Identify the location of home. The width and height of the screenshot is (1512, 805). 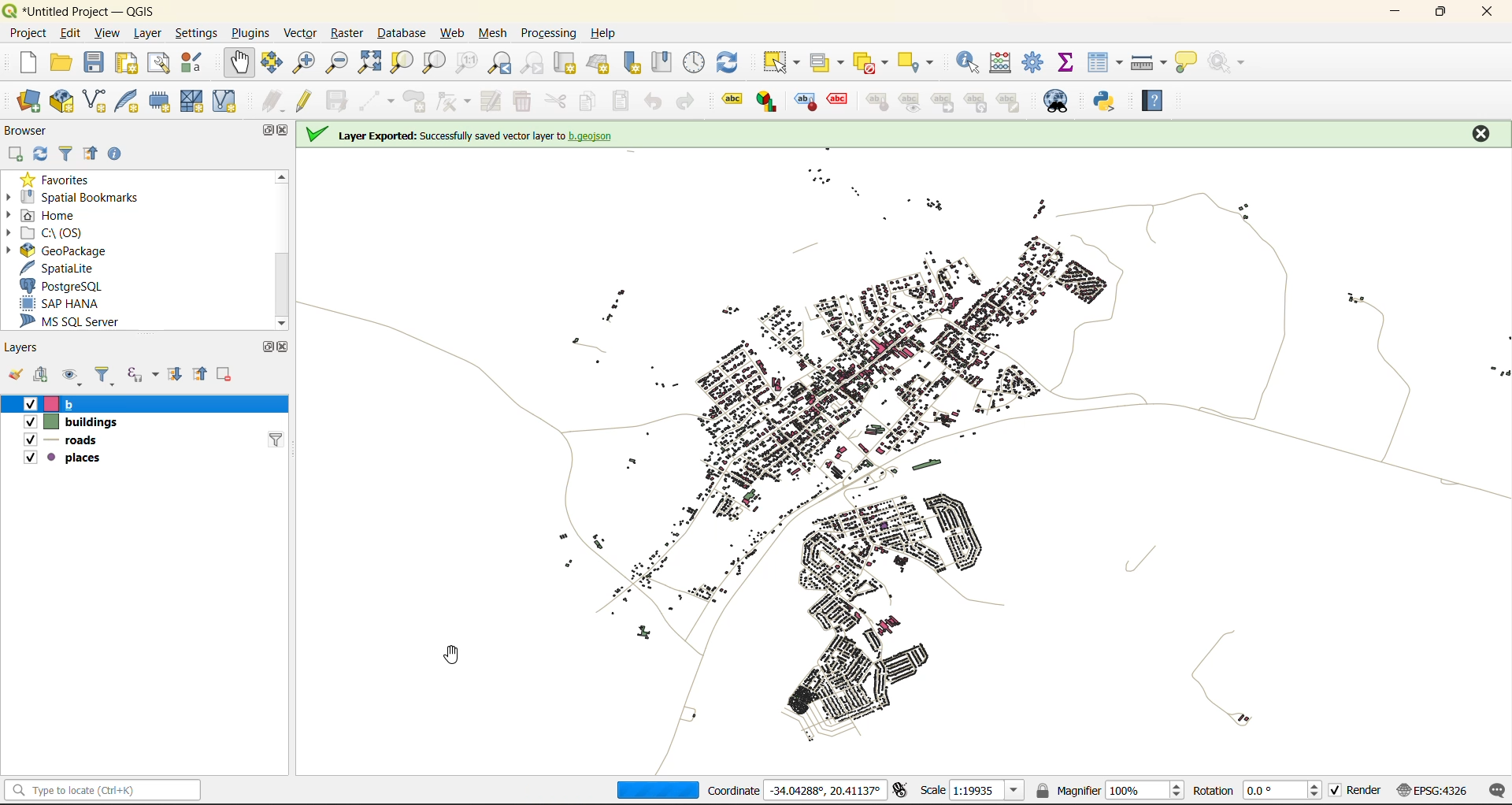
(46, 217).